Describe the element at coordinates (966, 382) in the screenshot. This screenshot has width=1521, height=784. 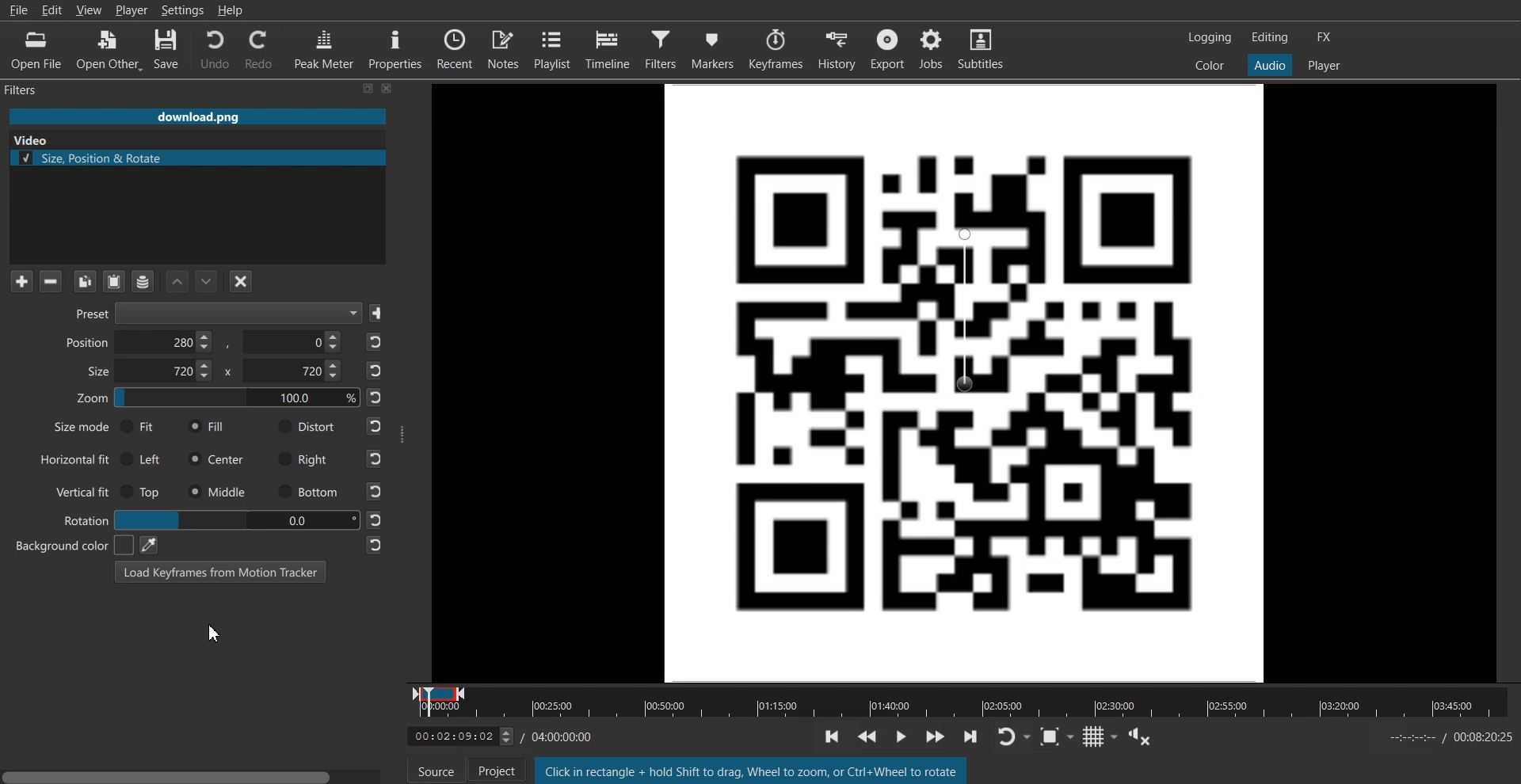
I see `Window set fit` at that location.